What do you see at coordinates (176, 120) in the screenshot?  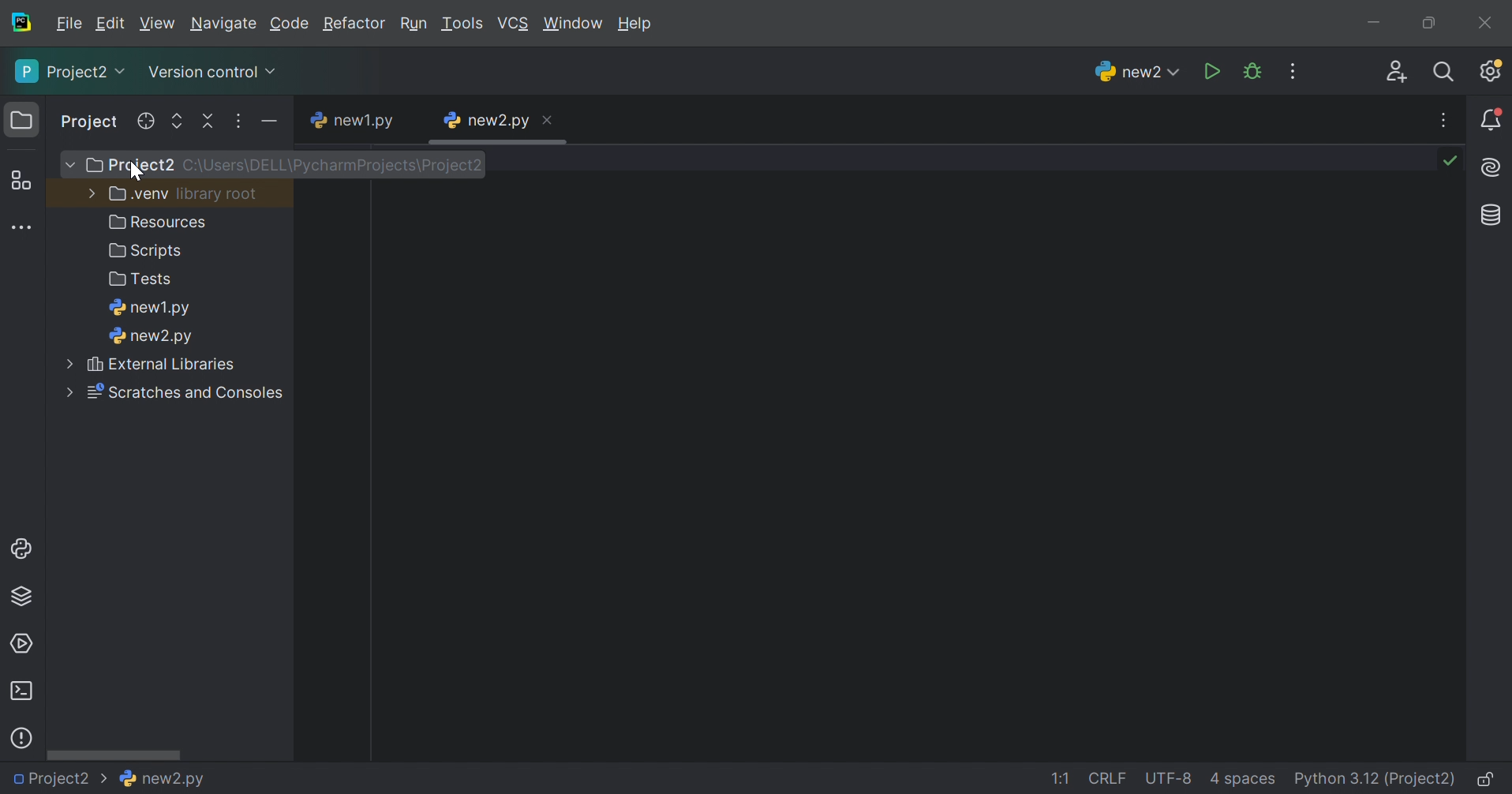 I see `Expand all` at bounding box center [176, 120].